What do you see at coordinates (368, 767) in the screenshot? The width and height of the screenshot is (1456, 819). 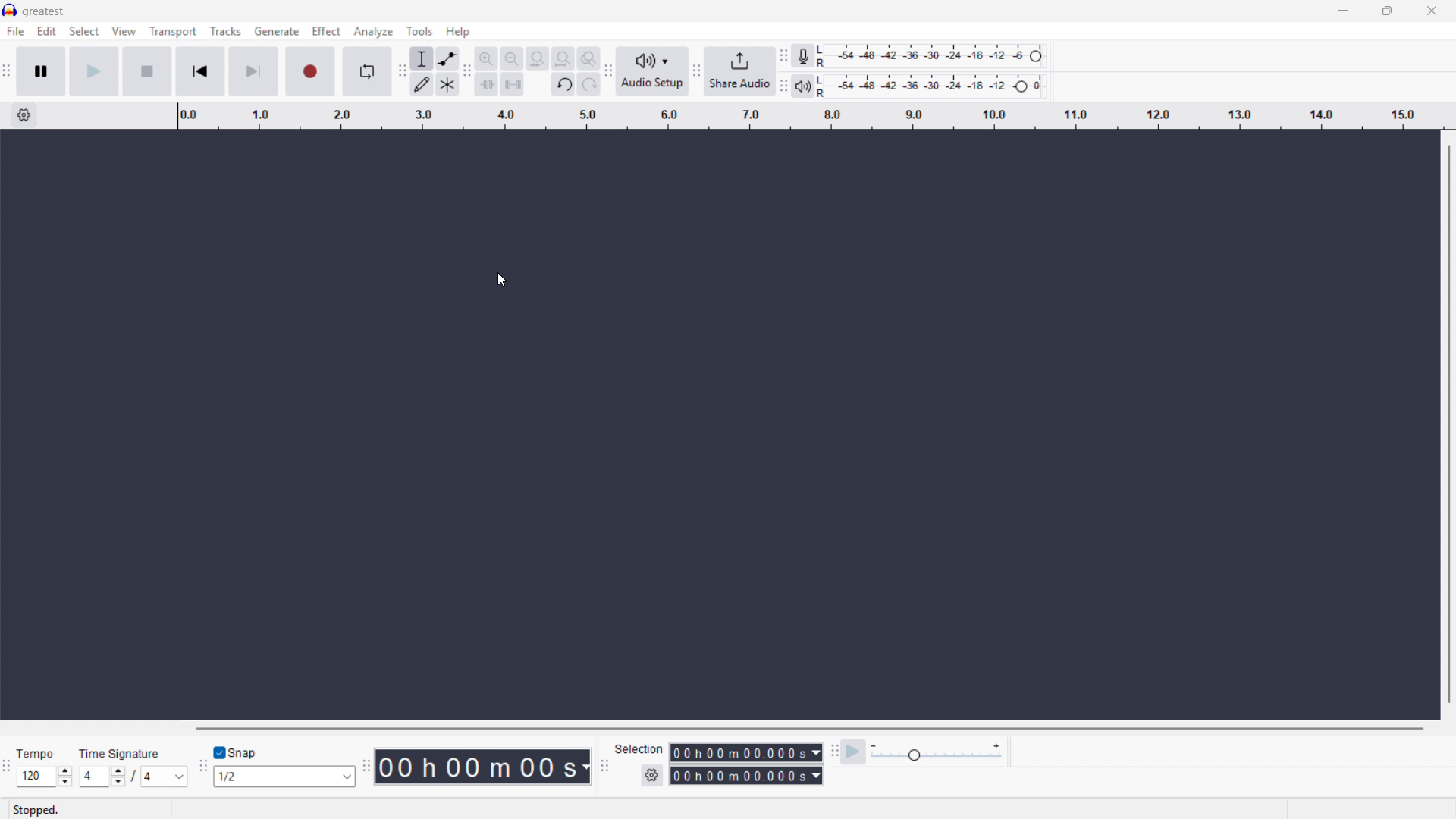 I see `Time toolbar ` at bounding box center [368, 767].